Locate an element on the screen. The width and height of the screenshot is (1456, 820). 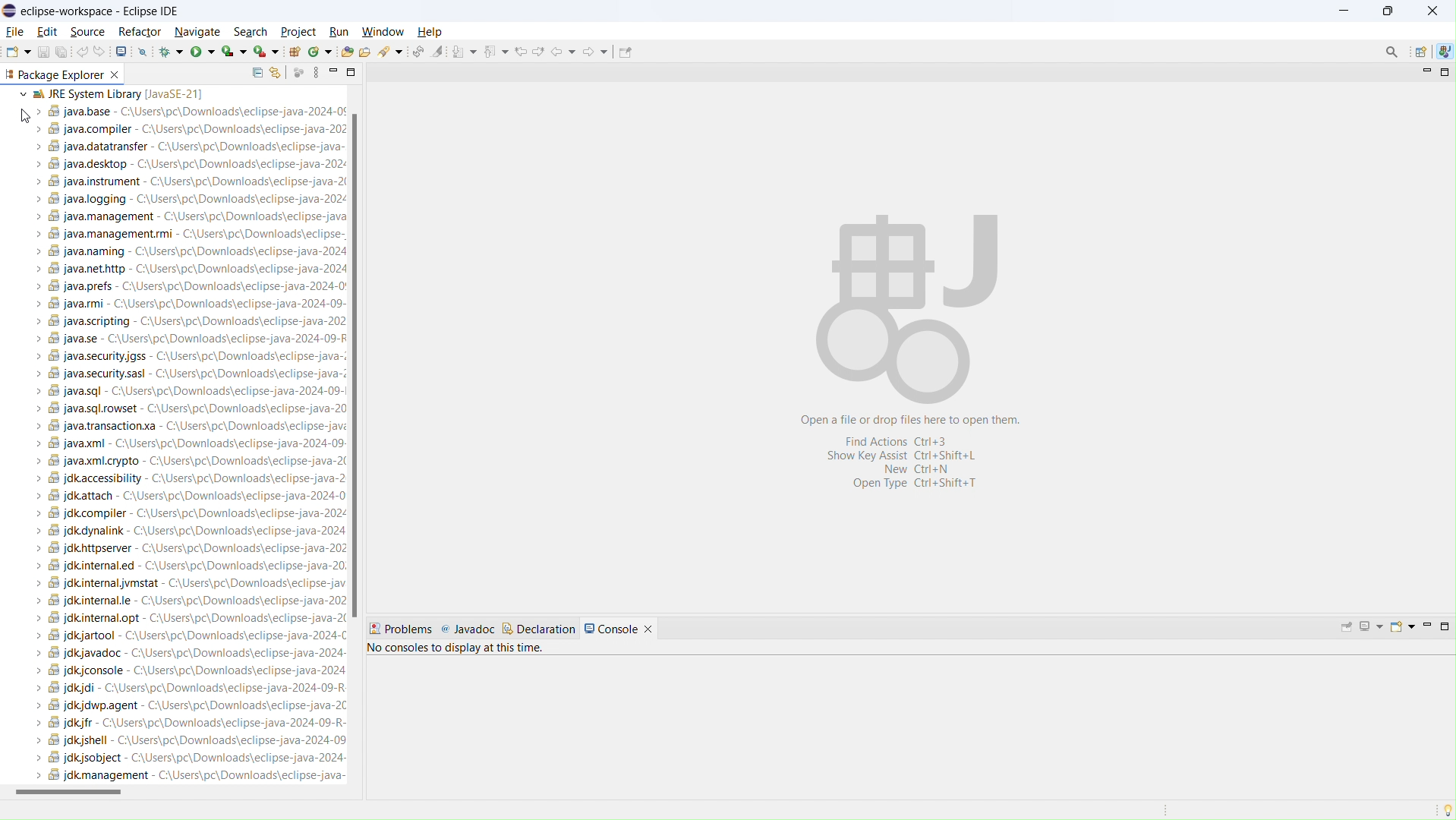
view menu is located at coordinates (317, 72).